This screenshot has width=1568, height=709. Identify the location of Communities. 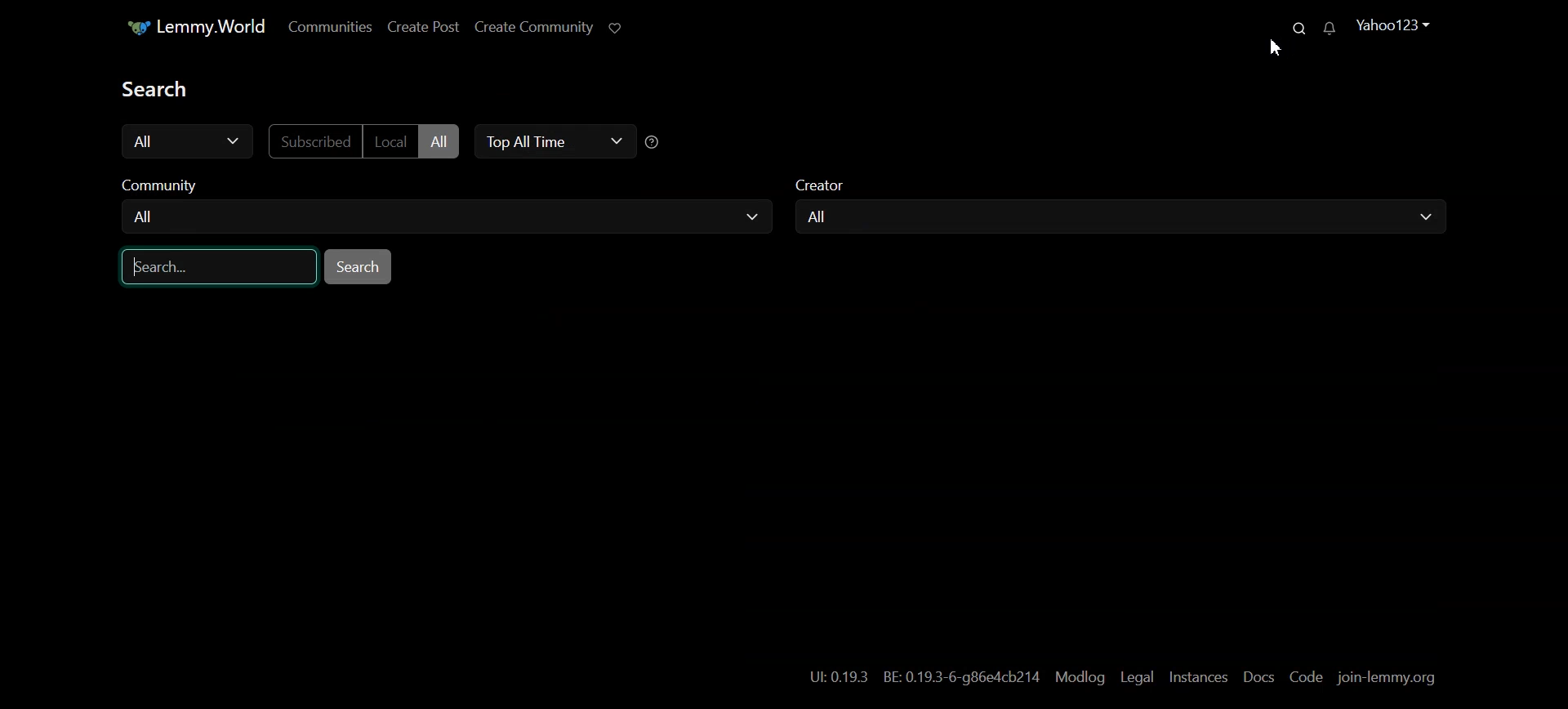
(329, 26).